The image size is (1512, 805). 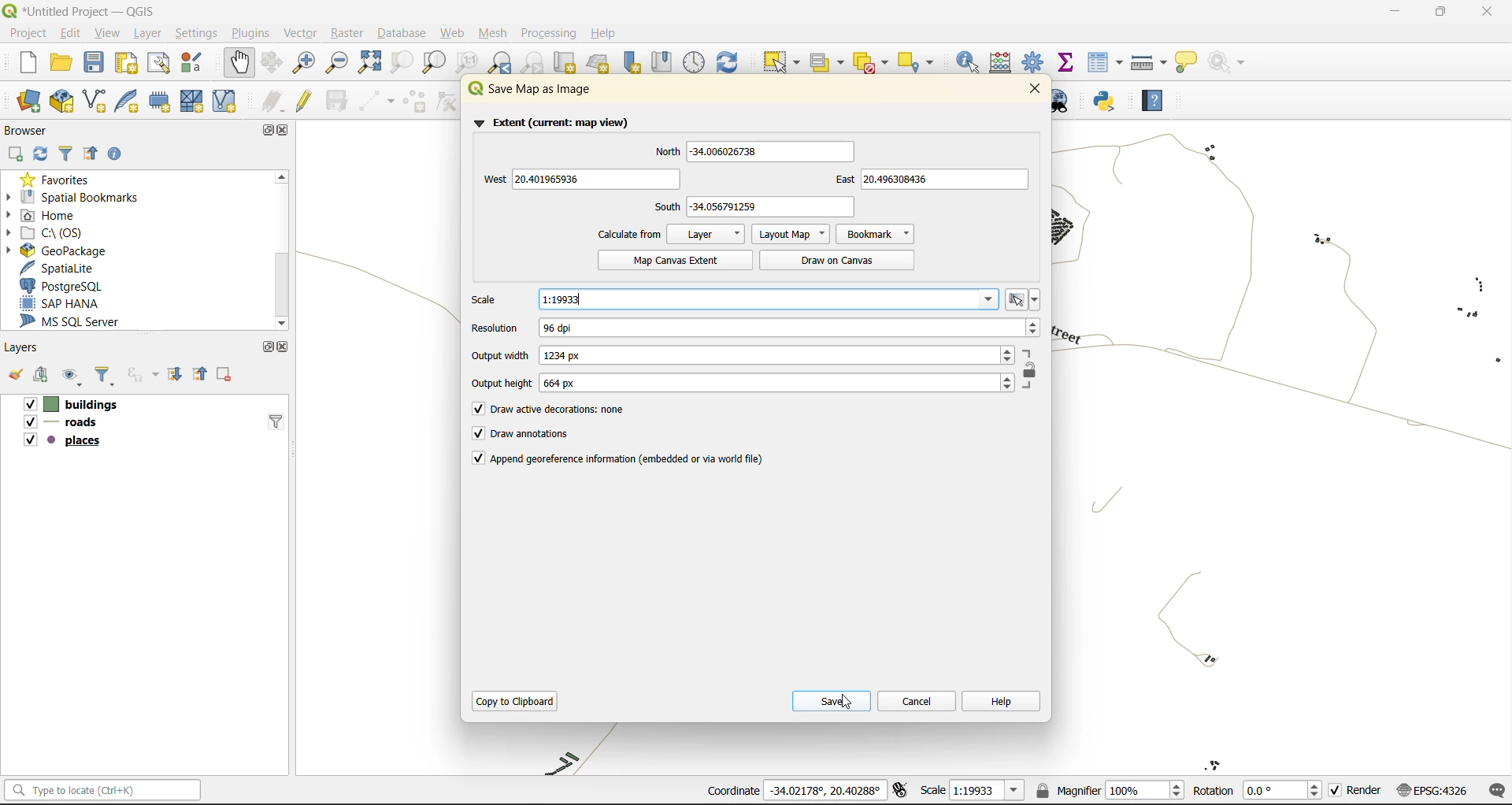 What do you see at coordinates (174, 373) in the screenshot?
I see `expand all` at bounding box center [174, 373].